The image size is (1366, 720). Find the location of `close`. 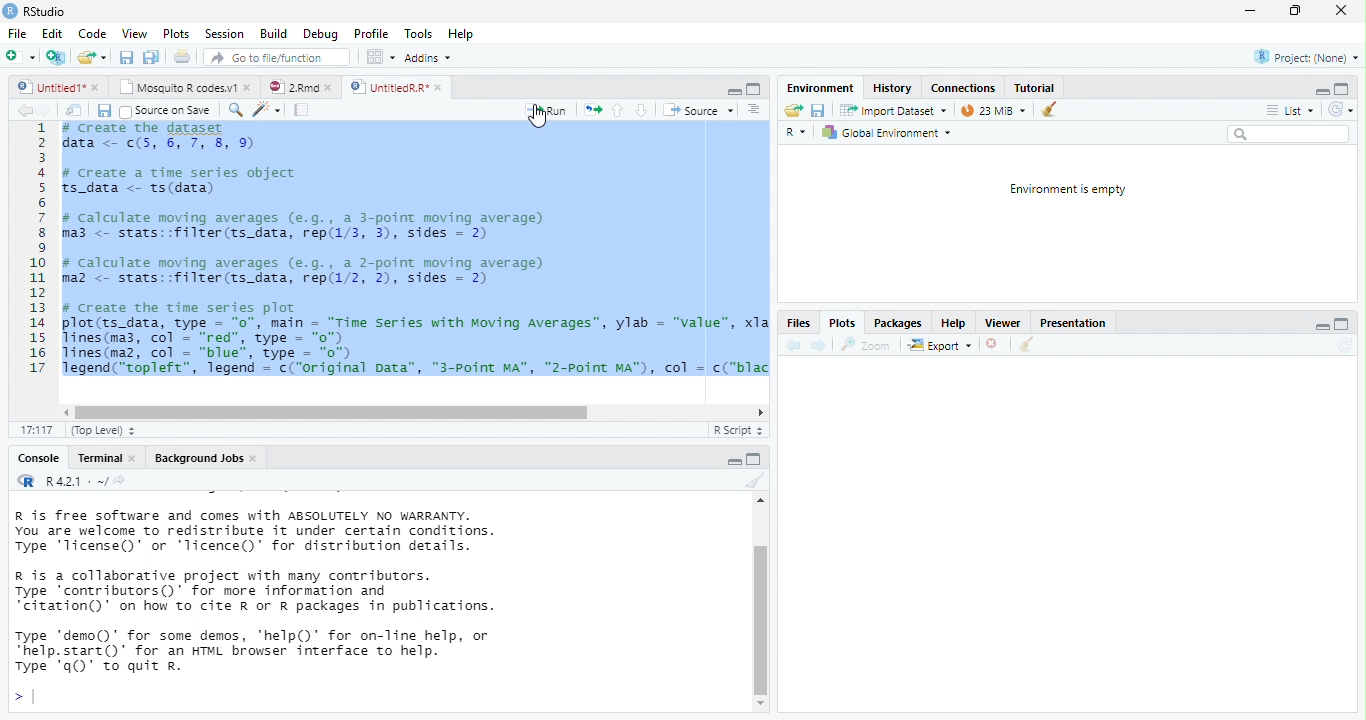

close is located at coordinates (332, 88).